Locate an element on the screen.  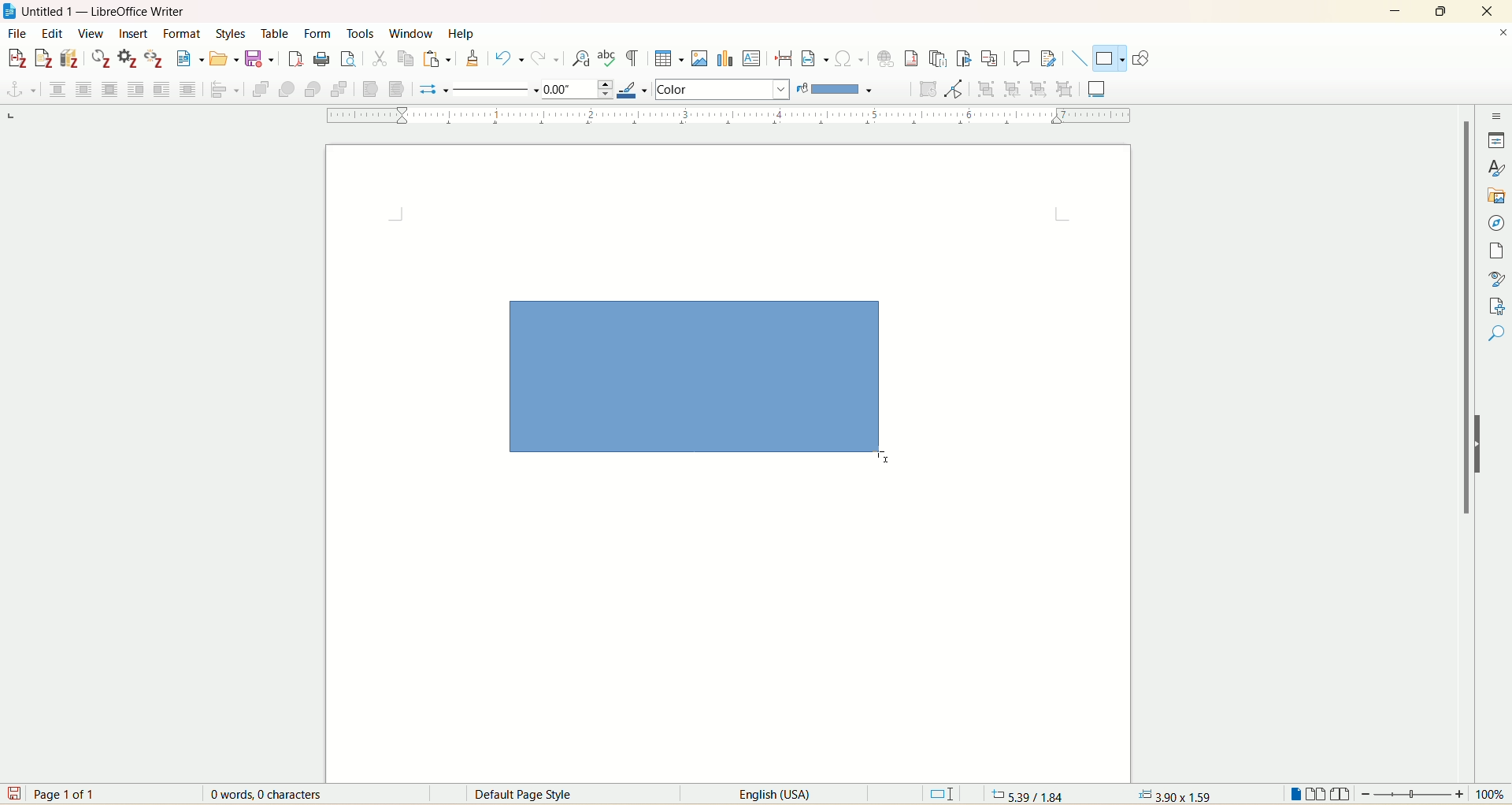
new is located at coordinates (190, 58).